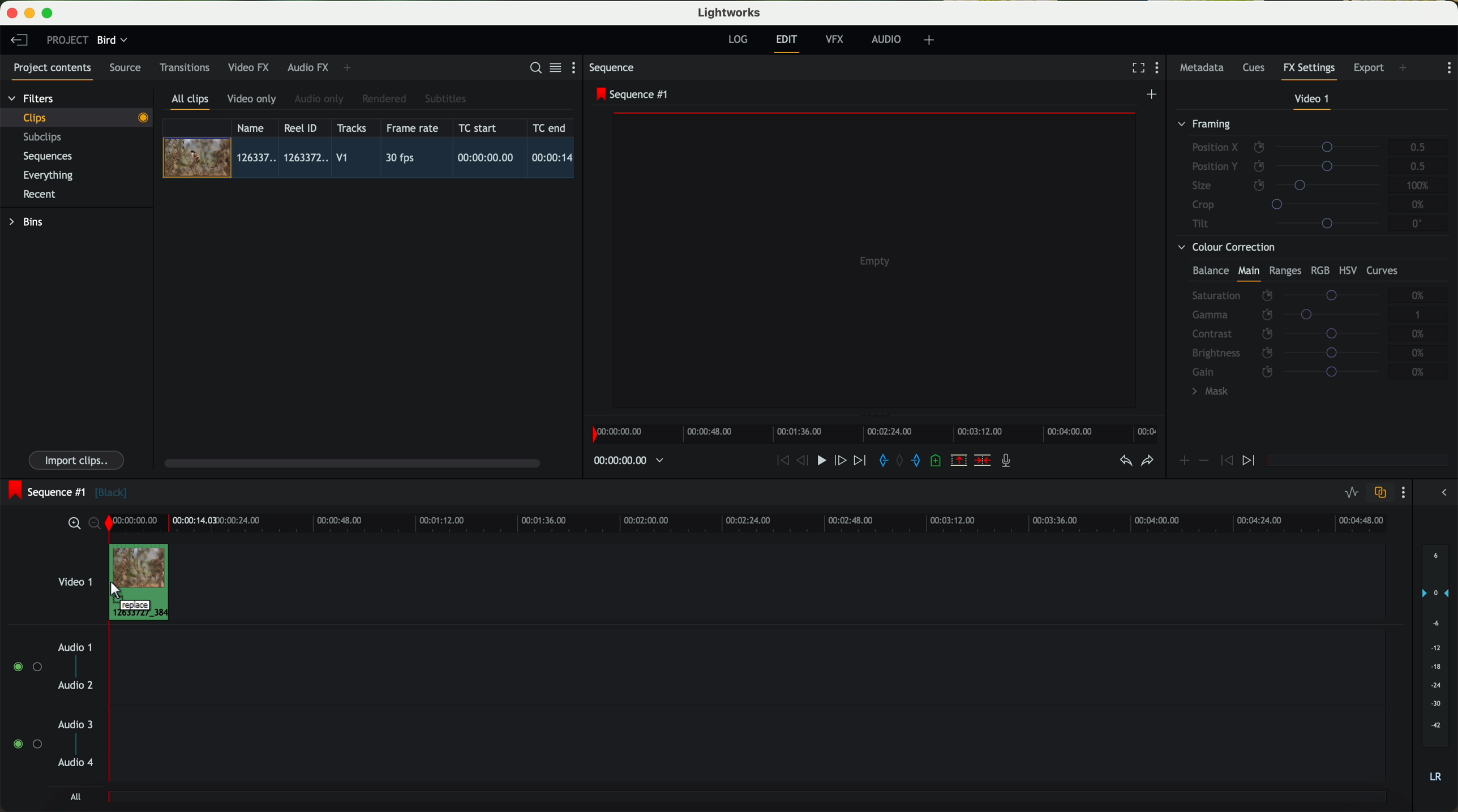  What do you see at coordinates (1347, 270) in the screenshot?
I see `HSV` at bounding box center [1347, 270].